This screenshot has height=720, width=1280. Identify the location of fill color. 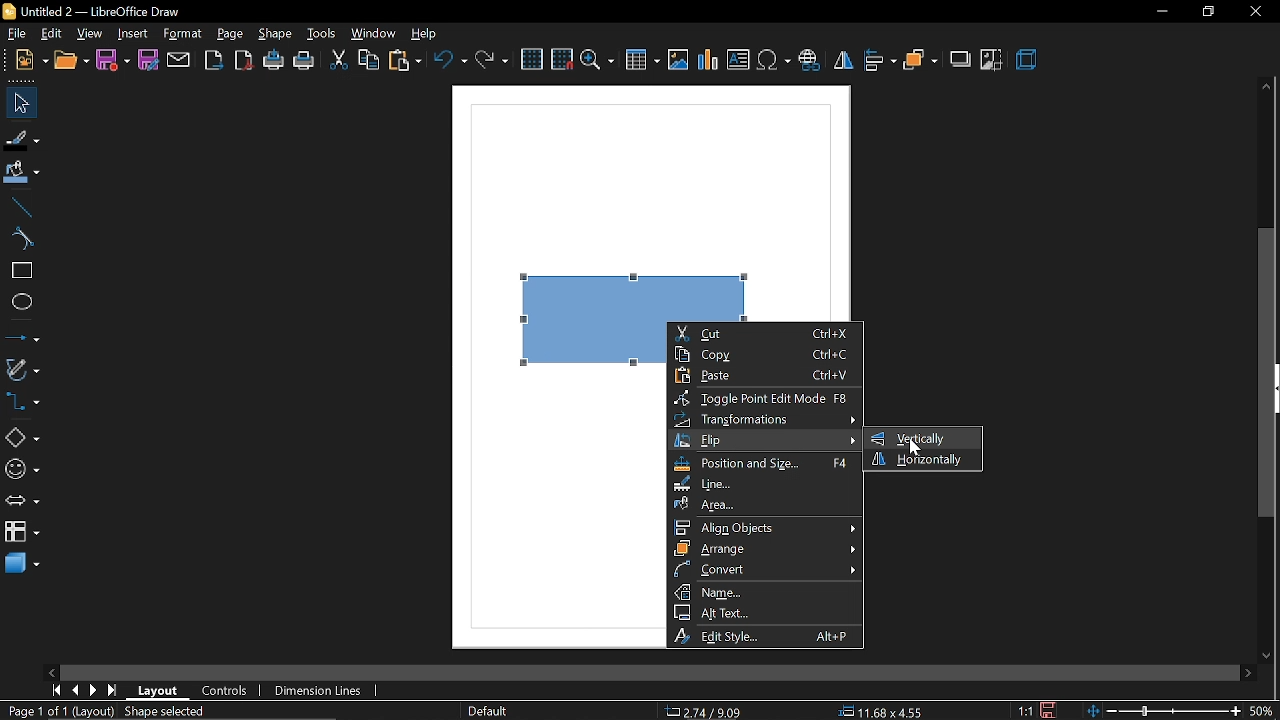
(22, 174).